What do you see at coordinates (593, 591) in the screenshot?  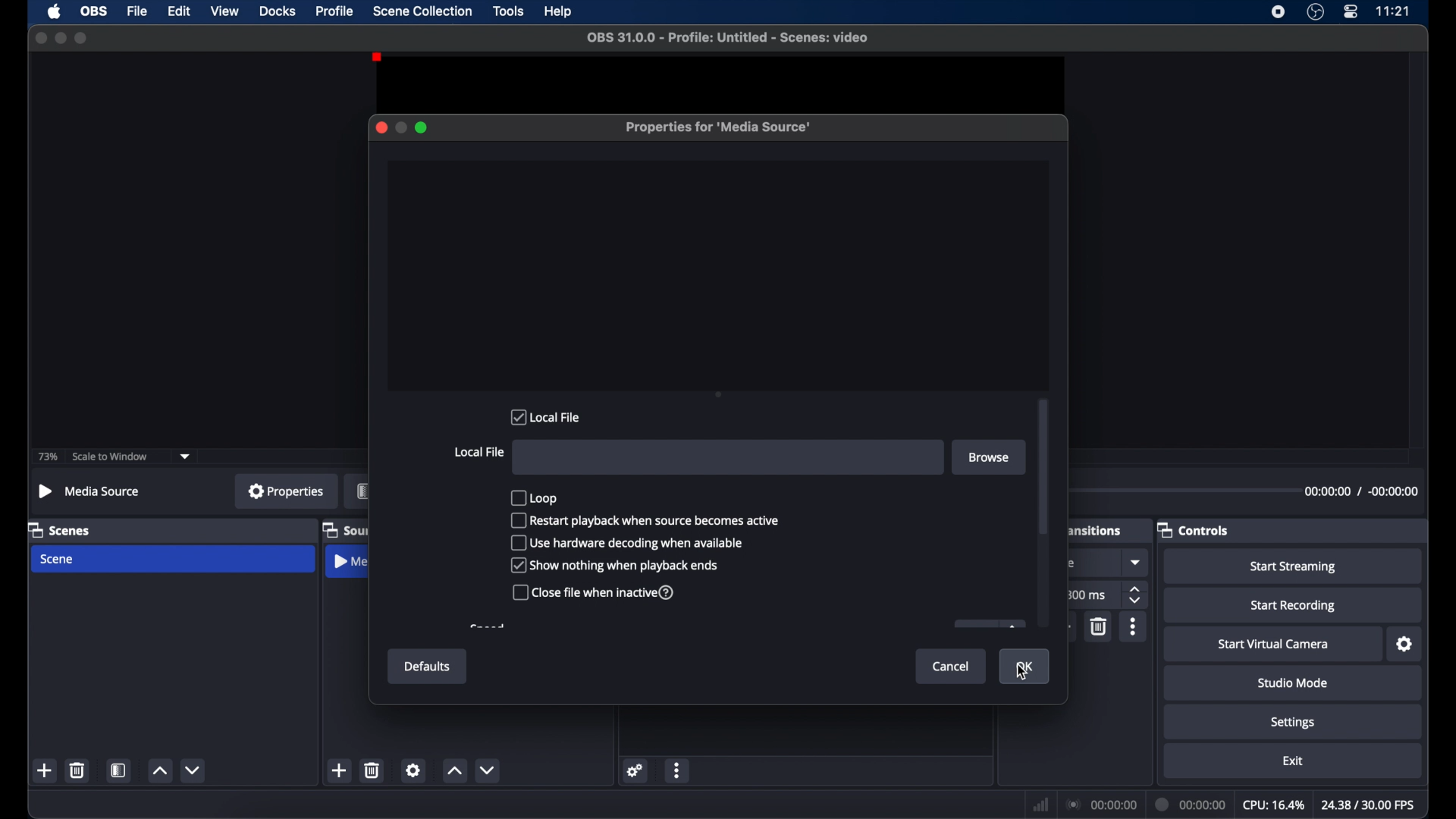 I see `close file when inactive` at bounding box center [593, 591].